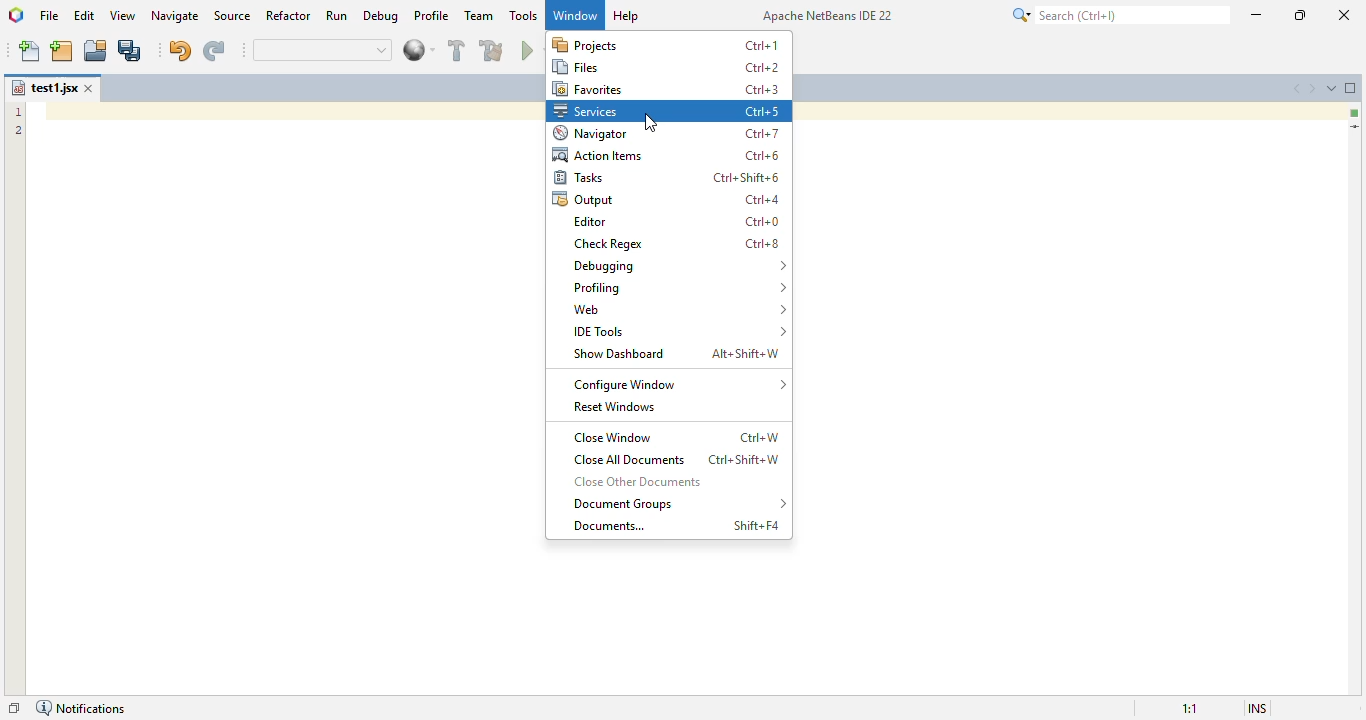 The image size is (1366, 720). Describe the element at coordinates (433, 16) in the screenshot. I see `profile` at that location.